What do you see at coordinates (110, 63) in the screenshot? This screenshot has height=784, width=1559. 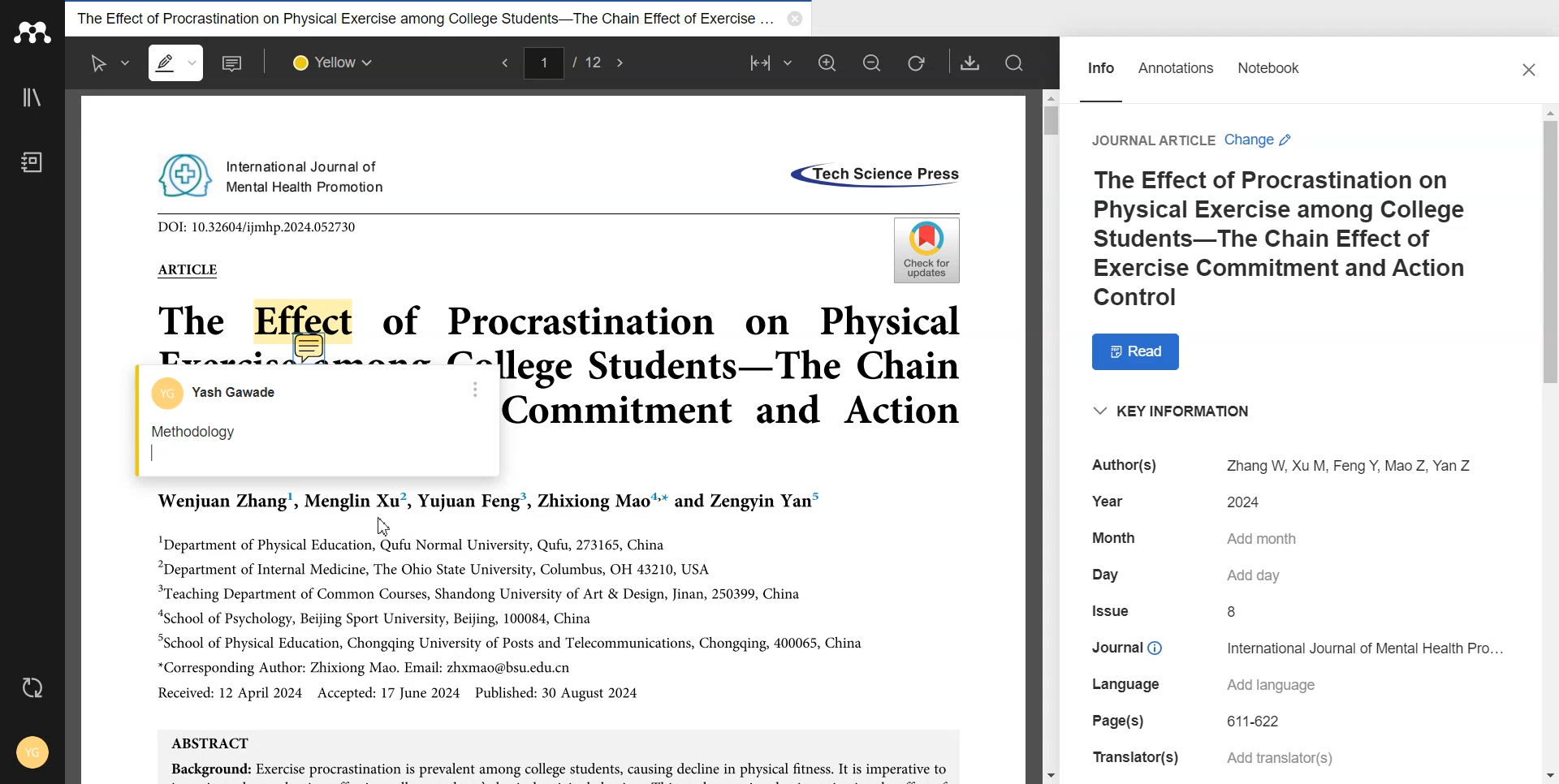 I see `Select text` at bounding box center [110, 63].